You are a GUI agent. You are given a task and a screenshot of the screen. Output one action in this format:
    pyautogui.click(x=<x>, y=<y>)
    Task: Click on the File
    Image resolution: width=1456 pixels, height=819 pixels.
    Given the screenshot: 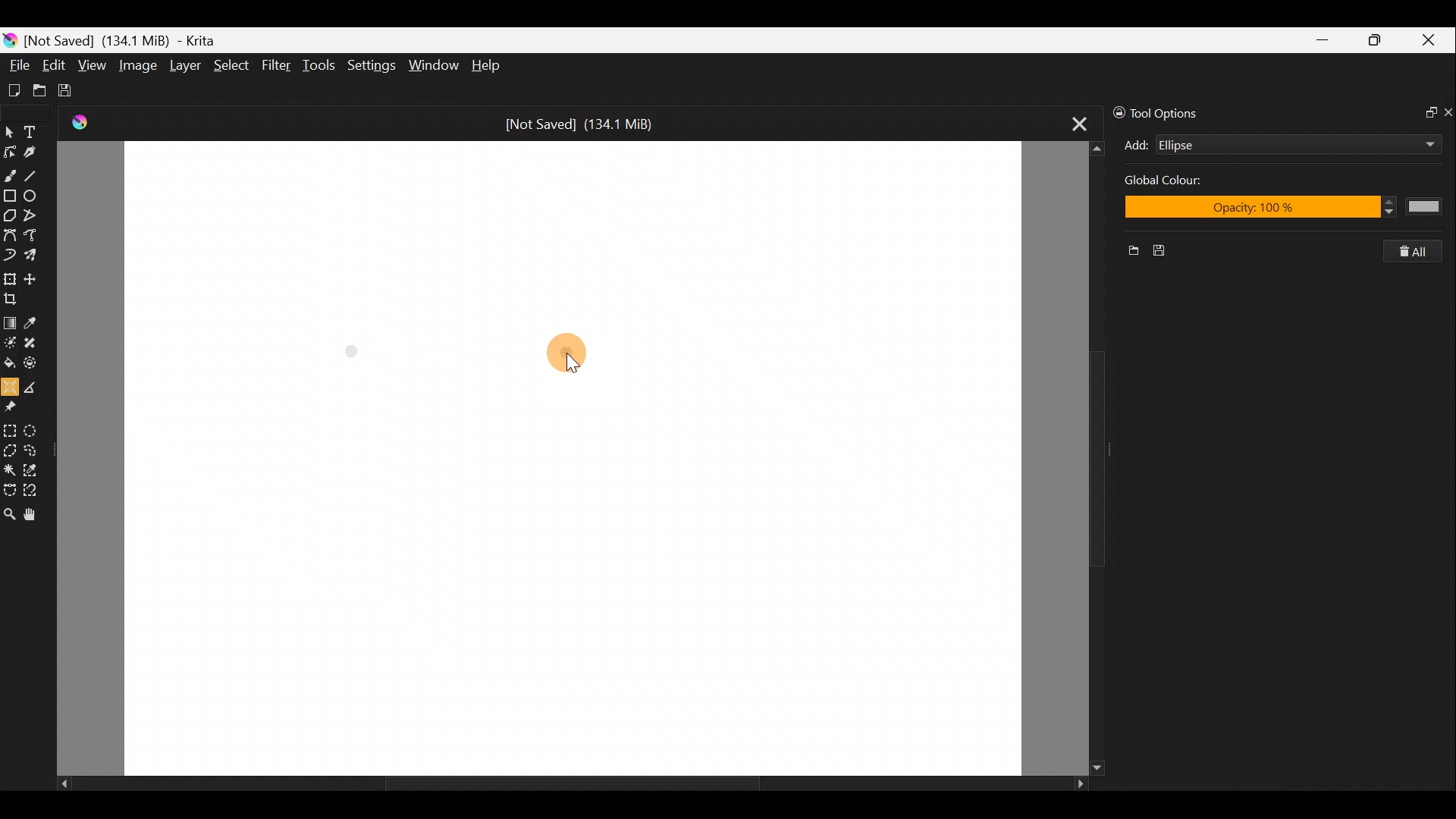 What is the action you would take?
    pyautogui.click(x=17, y=61)
    